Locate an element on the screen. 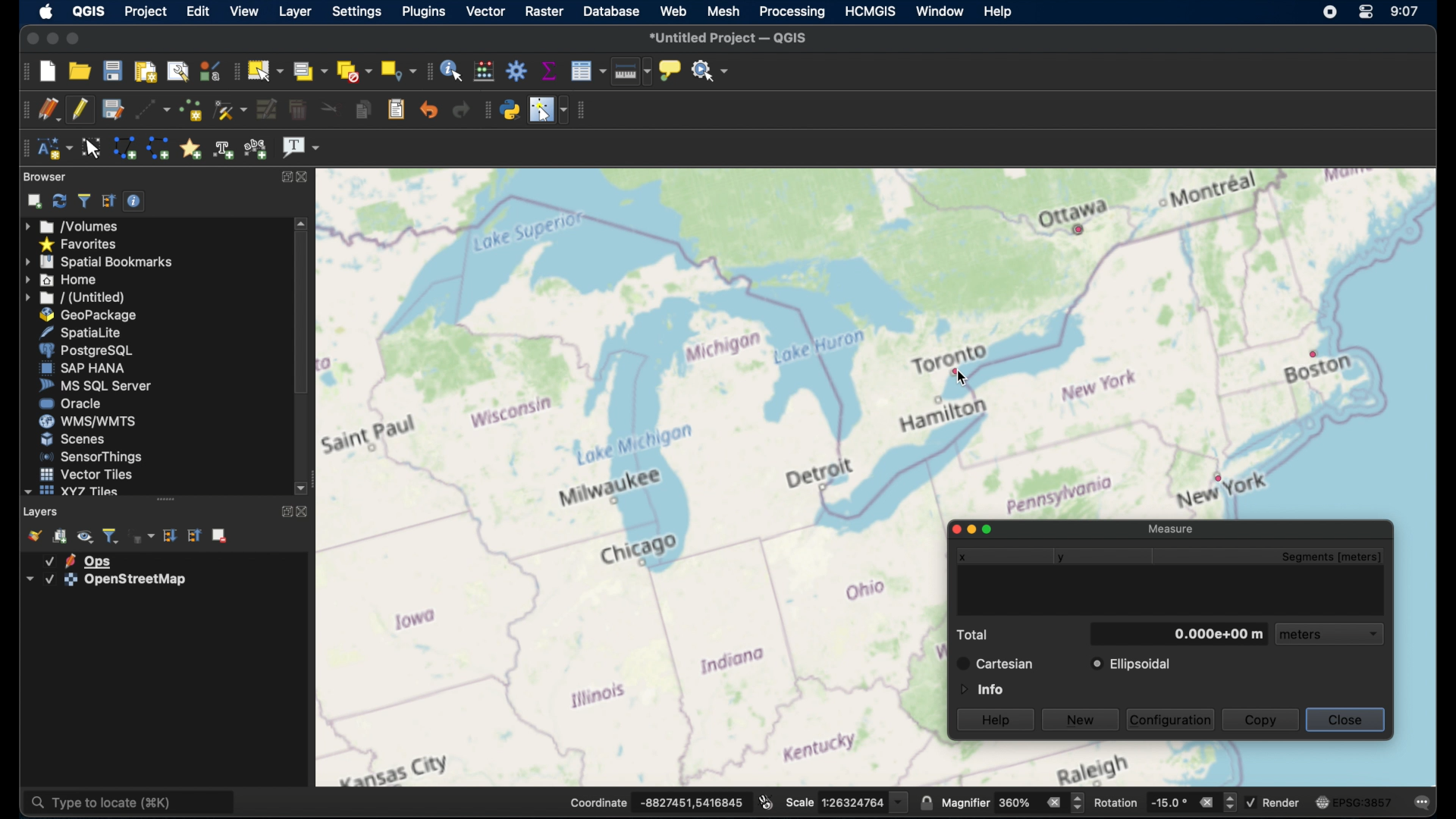 The width and height of the screenshot is (1456, 819). open field calculator is located at coordinates (486, 70).